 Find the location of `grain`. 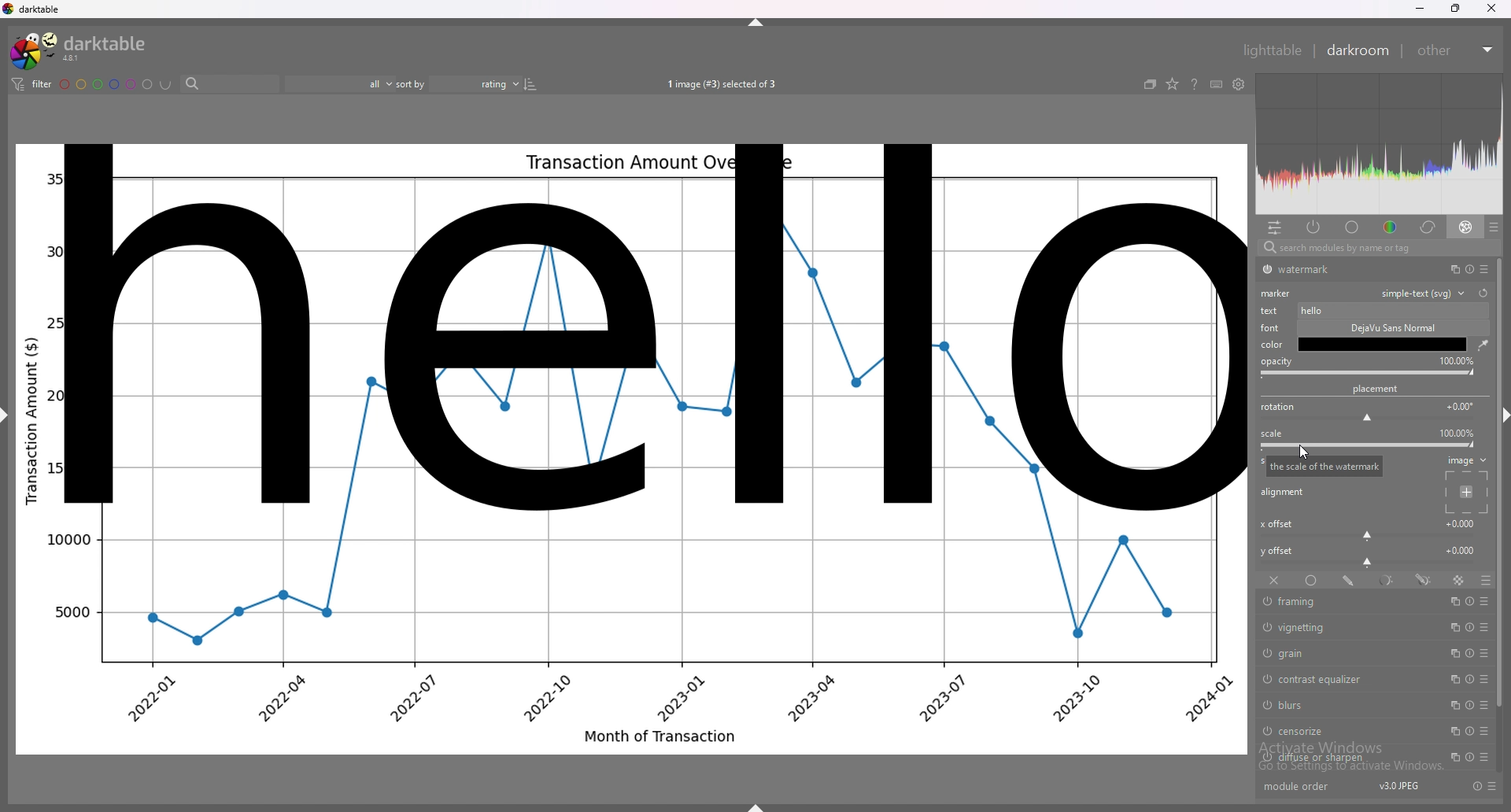

grain is located at coordinates (1342, 652).